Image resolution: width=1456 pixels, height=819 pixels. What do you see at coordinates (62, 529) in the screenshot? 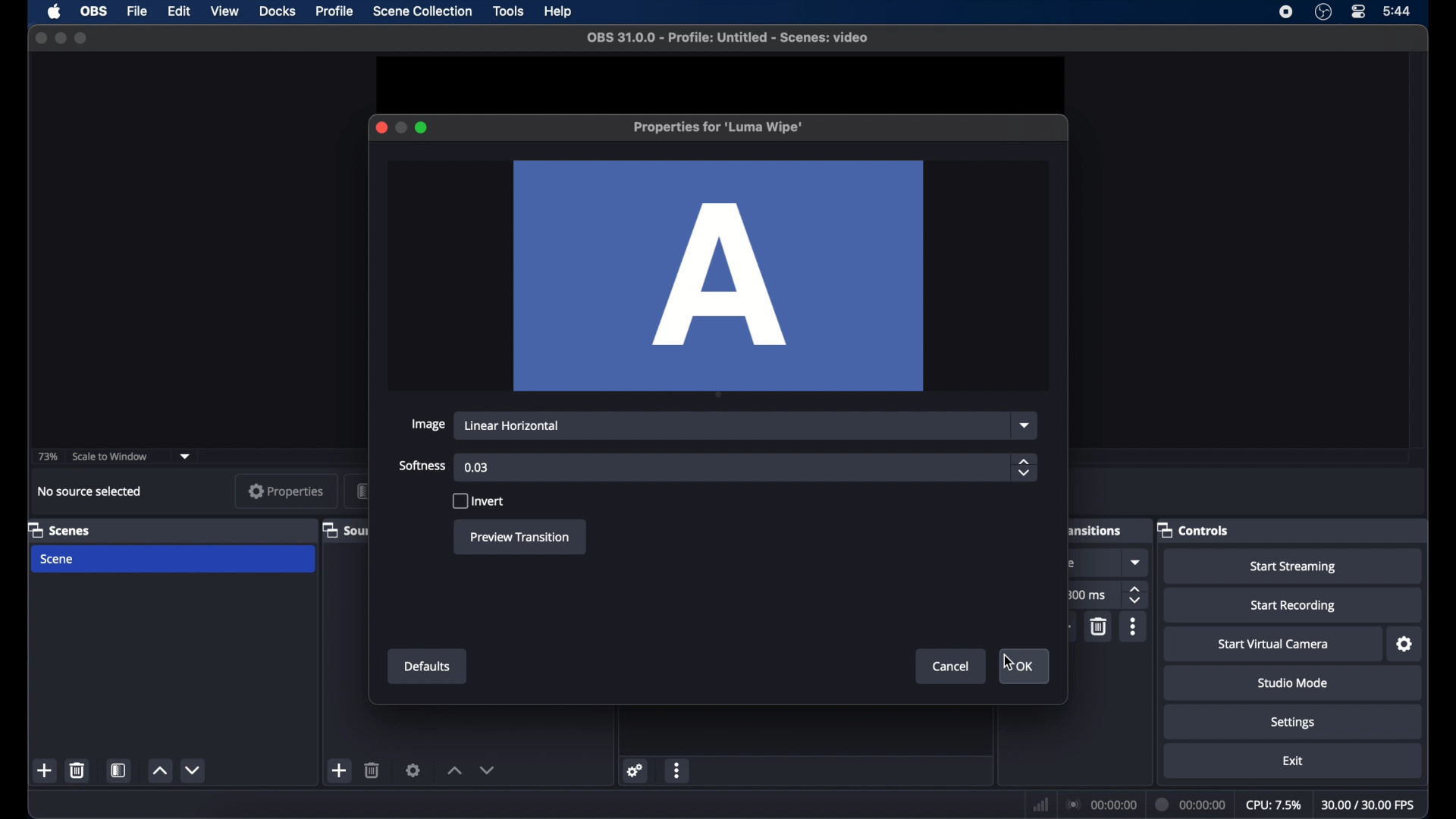
I see `scenes` at bounding box center [62, 529].